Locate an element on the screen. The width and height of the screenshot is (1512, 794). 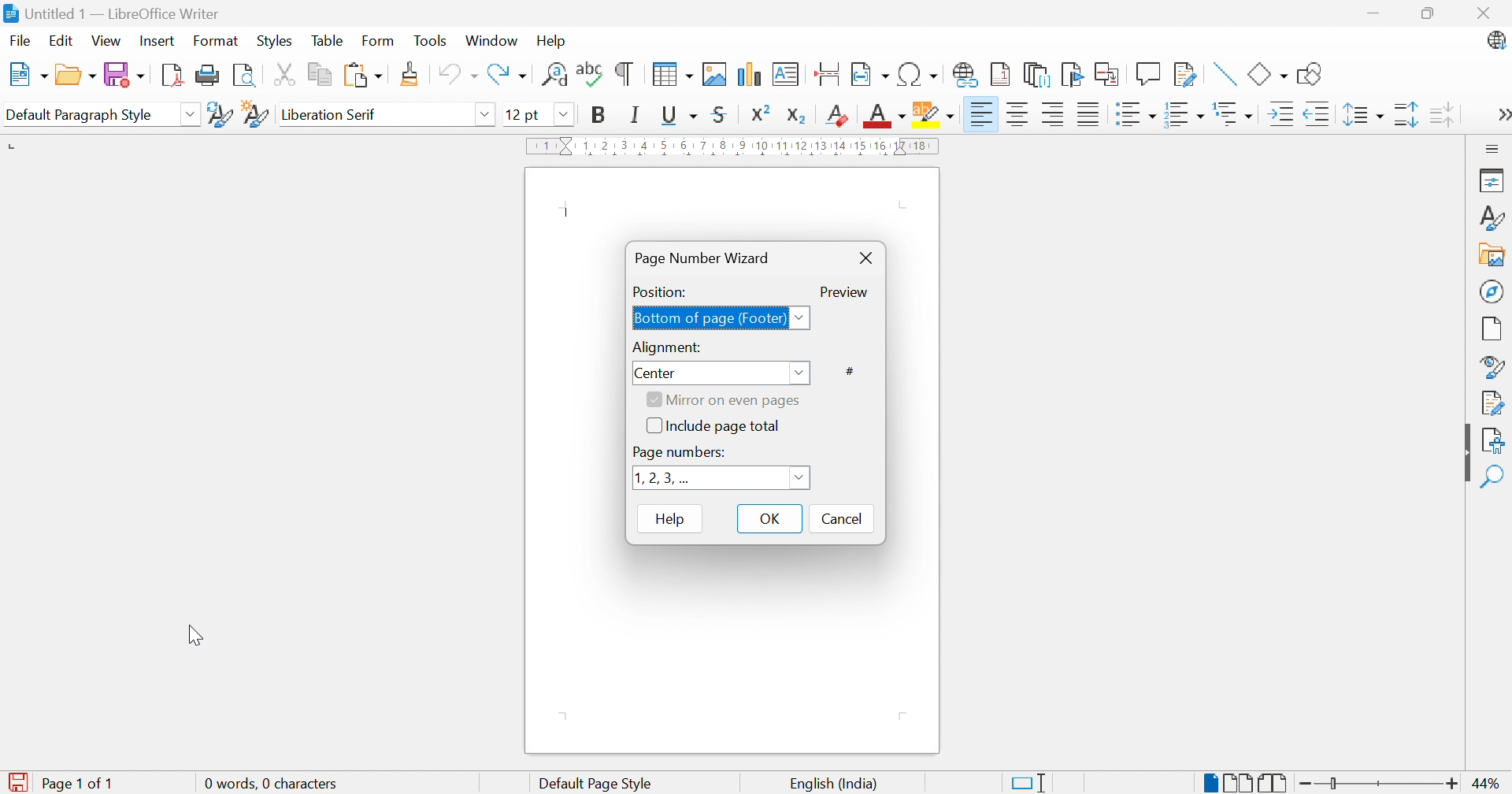
Untitled 1 - LibreOffice Writer is located at coordinates (122, 13).